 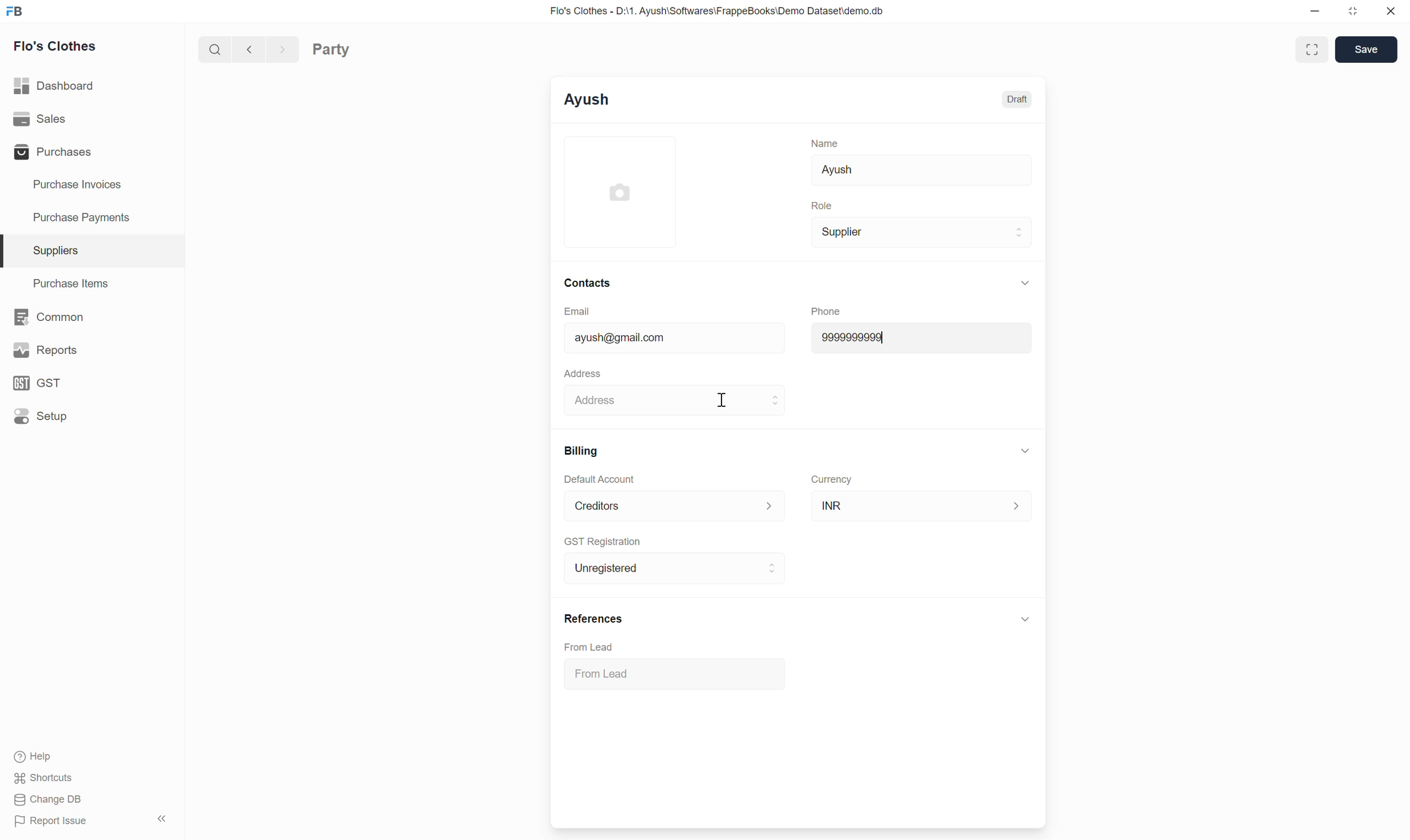 I want to click on Ayush, so click(x=921, y=170).